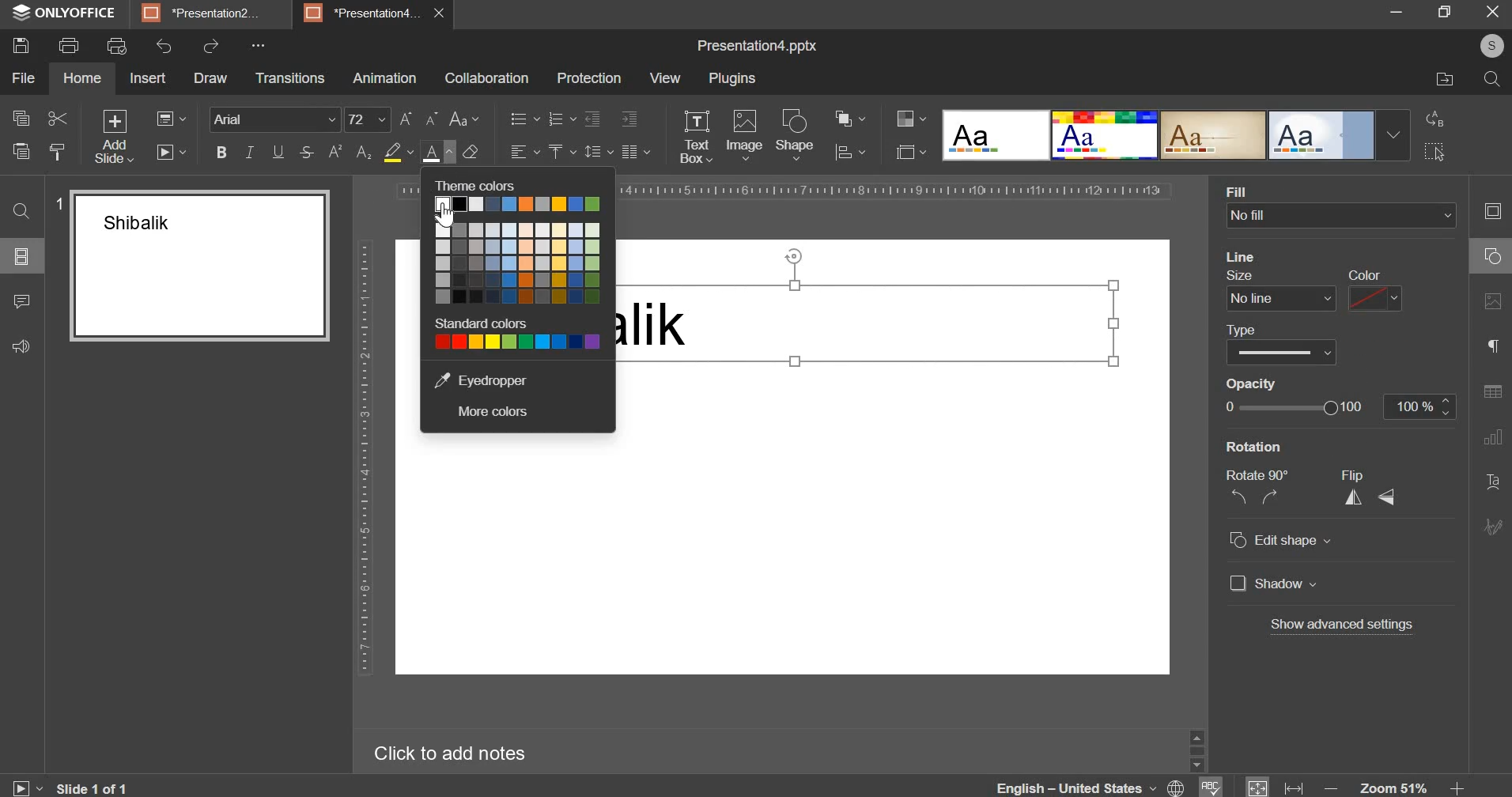 The image size is (1512, 797). What do you see at coordinates (170, 152) in the screenshot?
I see `slideshow` at bounding box center [170, 152].